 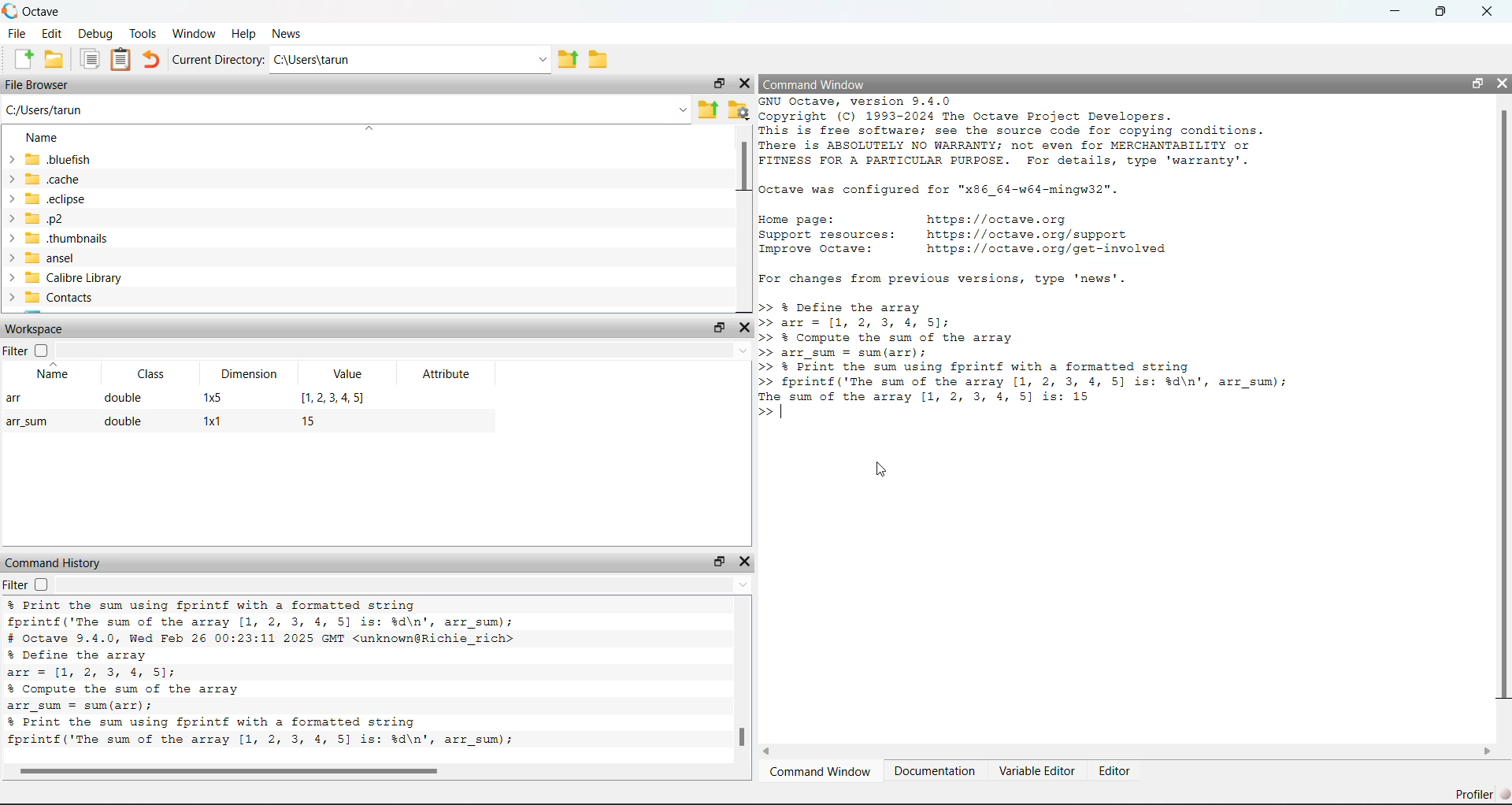 What do you see at coordinates (50, 158) in the screenshot?
I see `bluefish` at bounding box center [50, 158].